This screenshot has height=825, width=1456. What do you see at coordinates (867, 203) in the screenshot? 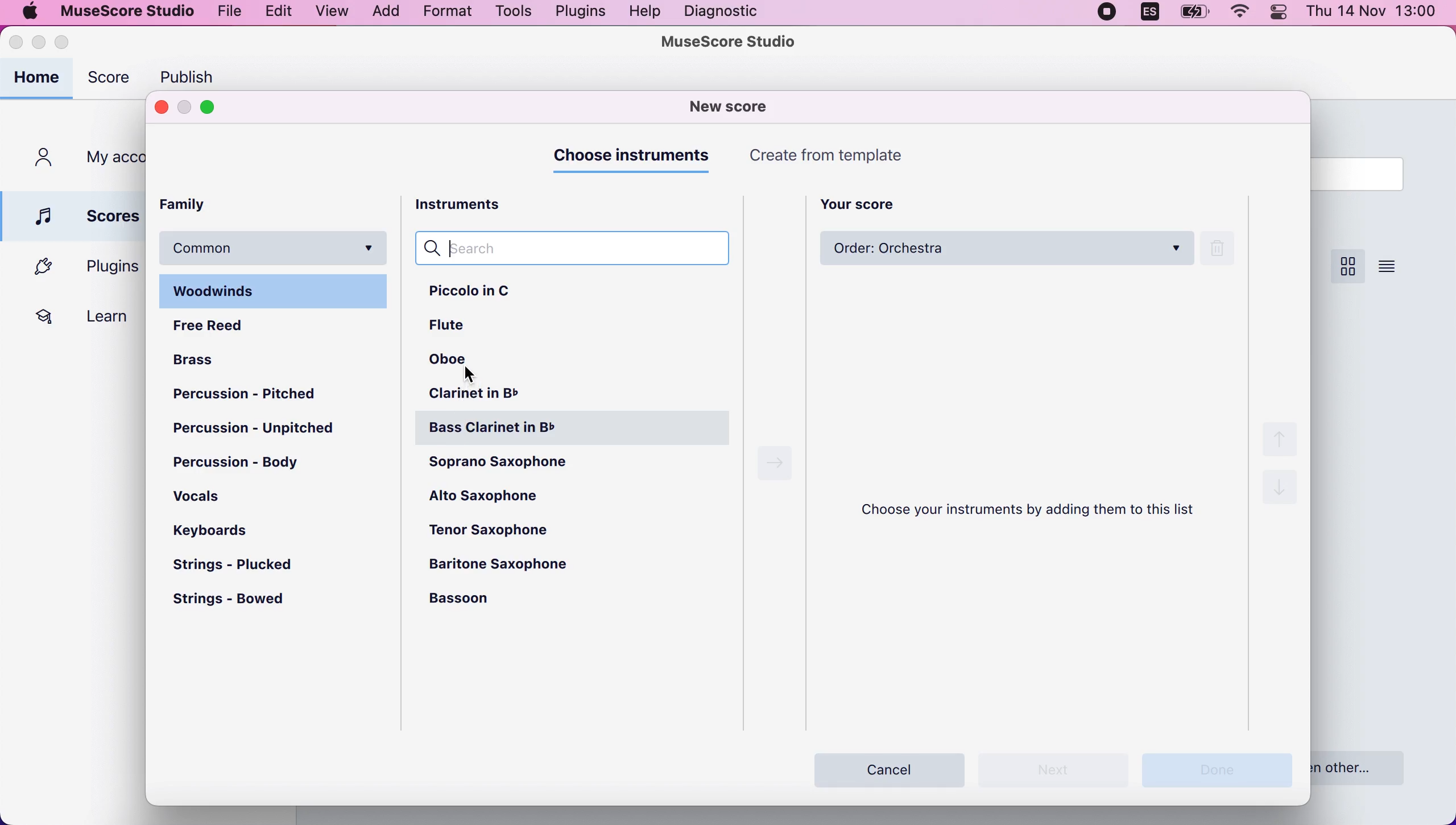
I see `your score` at bounding box center [867, 203].